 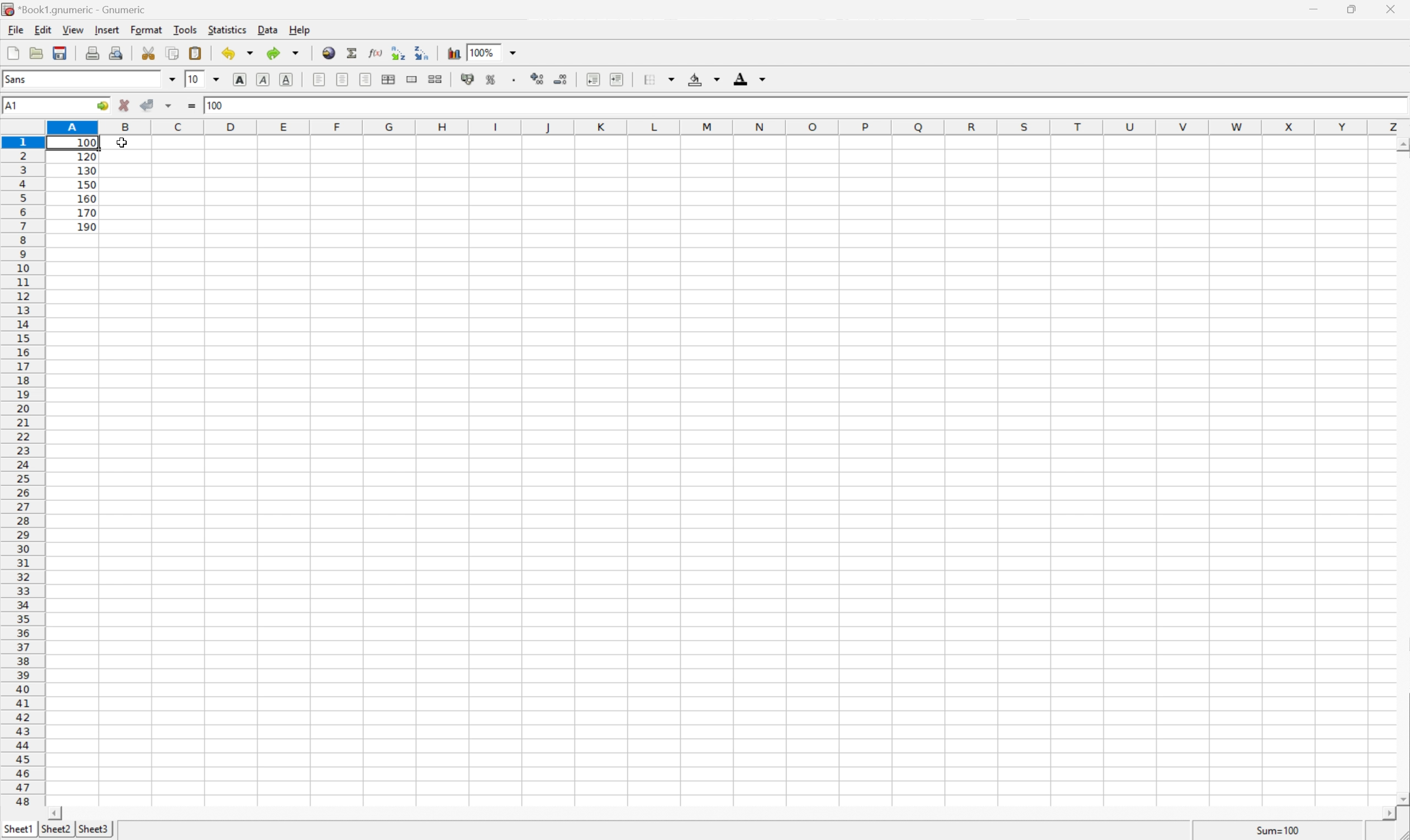 I want to click on 160, so click(x=87, y=197).